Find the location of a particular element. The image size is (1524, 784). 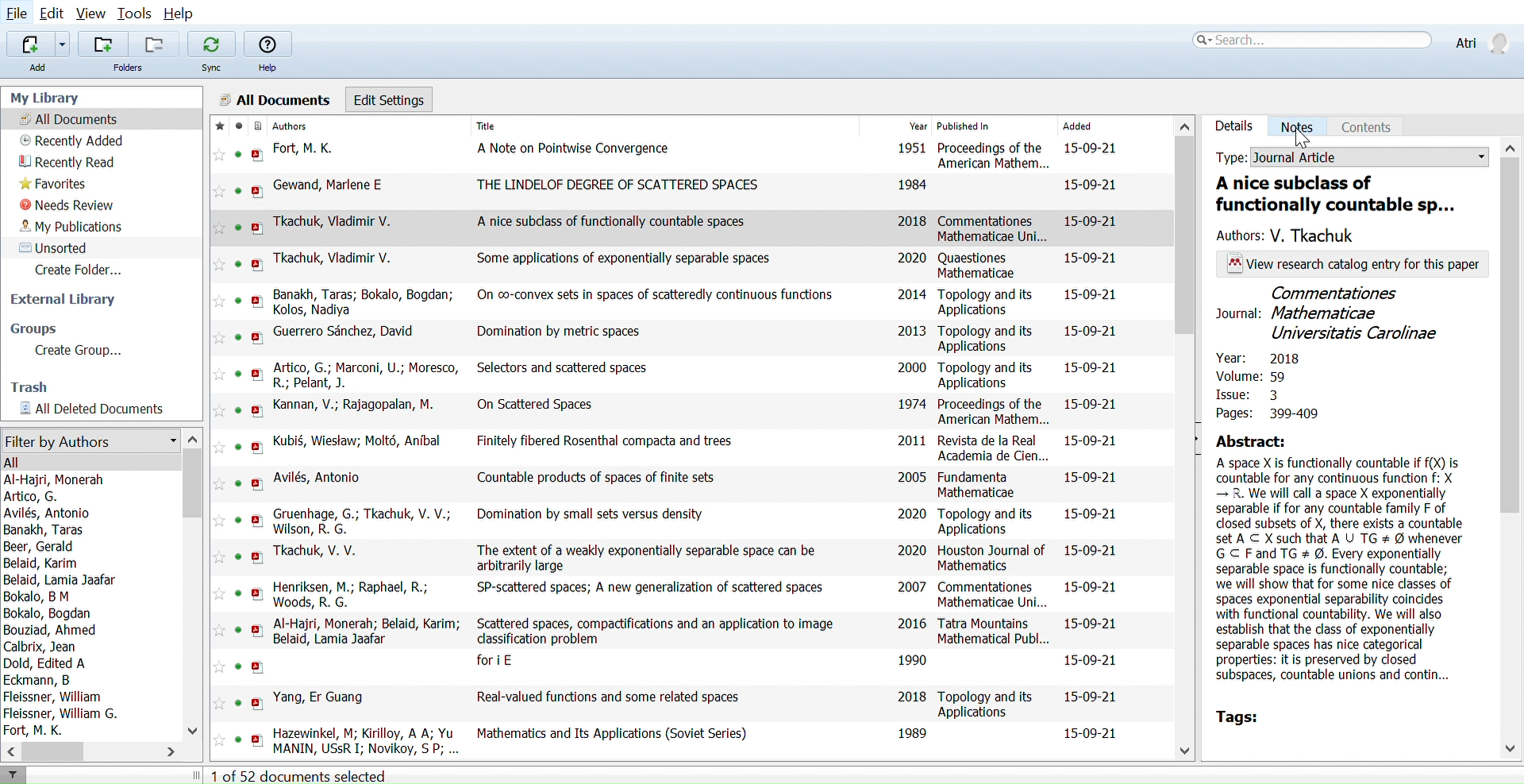

Vertical scrollbar for filter by authors is located at coordinates (194, 485).